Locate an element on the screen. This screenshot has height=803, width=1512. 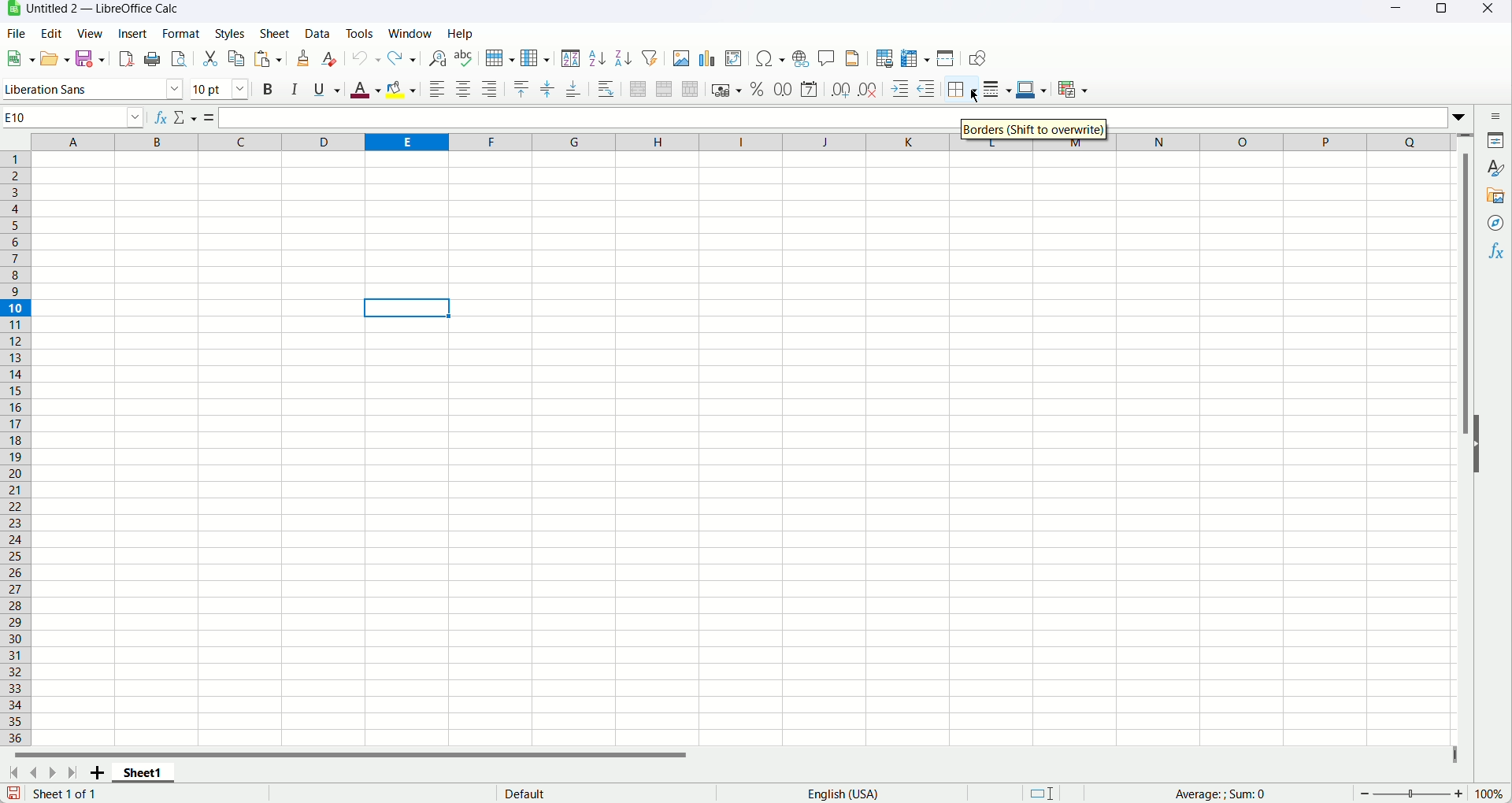
Insert is located at coordinates (134, 32).